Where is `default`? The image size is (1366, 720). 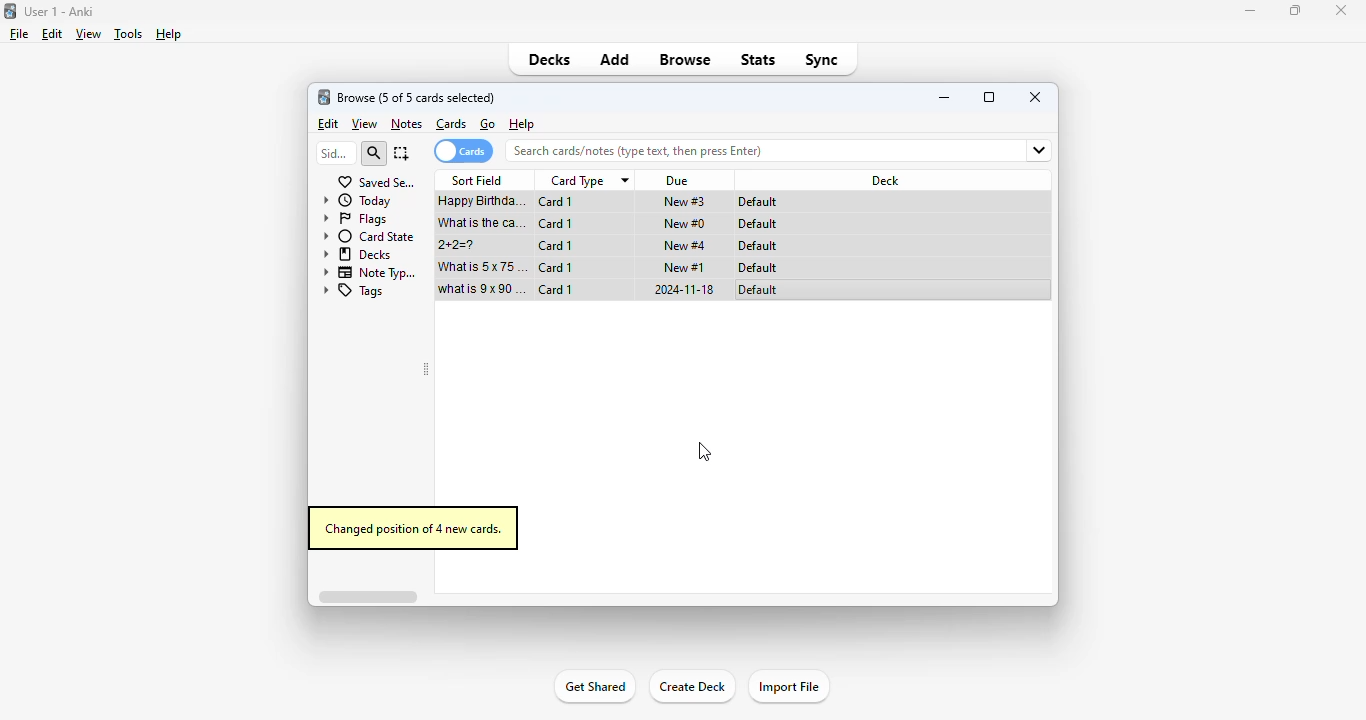
default is located at coordinates (758, 268).